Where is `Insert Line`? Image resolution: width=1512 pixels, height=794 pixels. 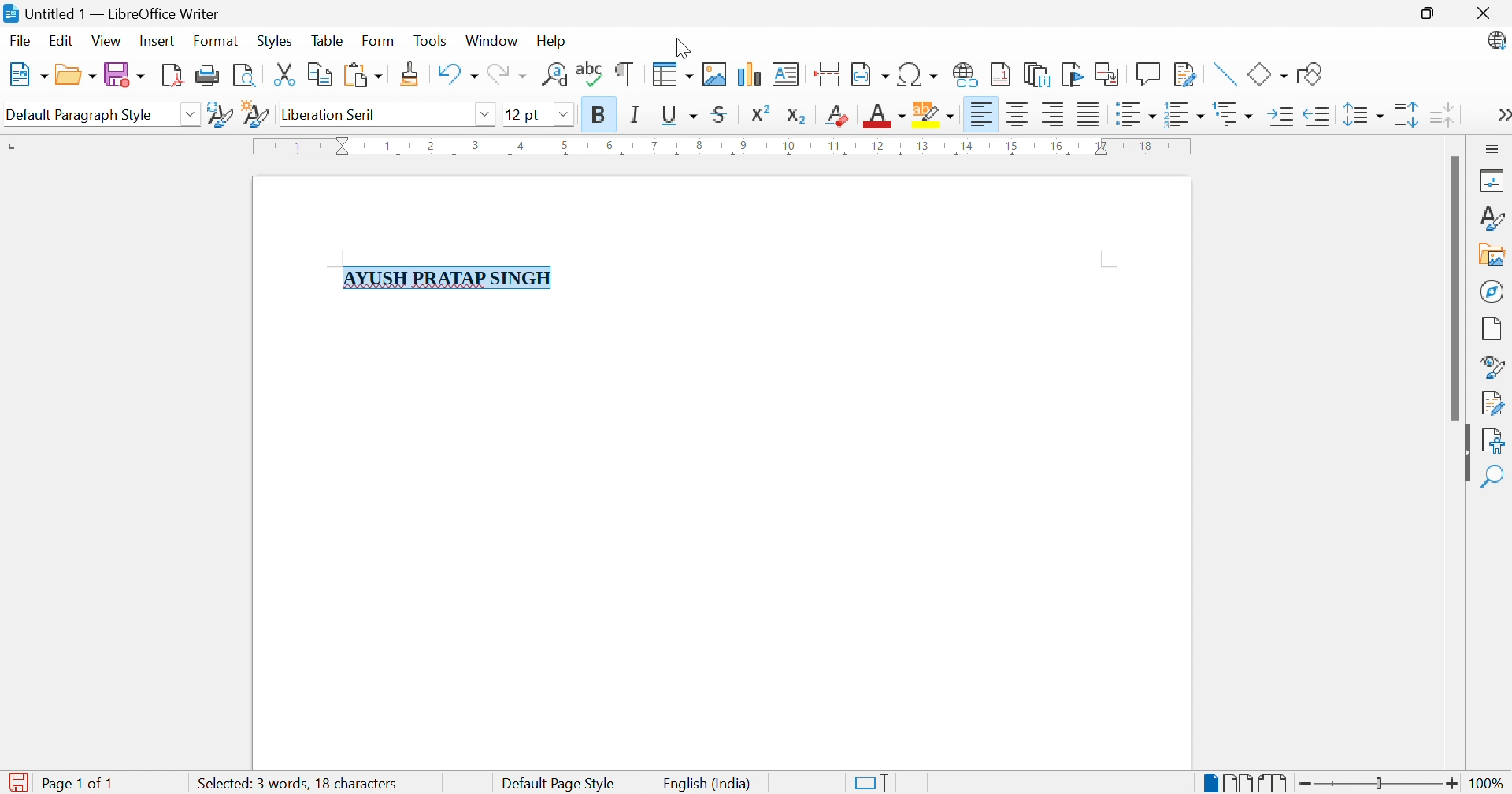 Insert Line is located at coordinates (1225, 73).